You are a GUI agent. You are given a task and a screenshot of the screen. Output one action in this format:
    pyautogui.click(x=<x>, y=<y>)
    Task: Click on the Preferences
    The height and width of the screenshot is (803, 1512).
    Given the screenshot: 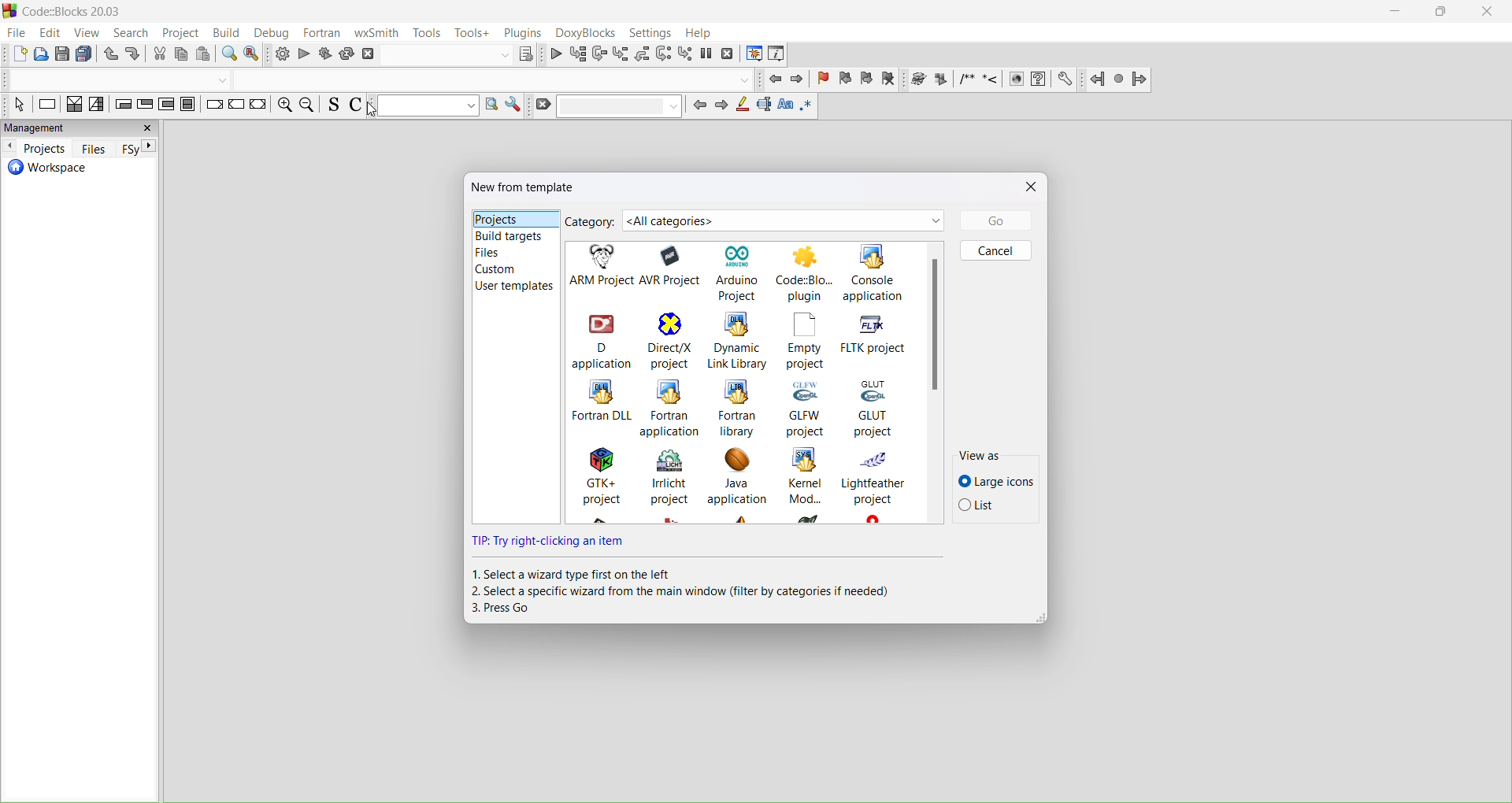 What is the action you would take?
    pyautogui.click(x=1066, y=79)
    